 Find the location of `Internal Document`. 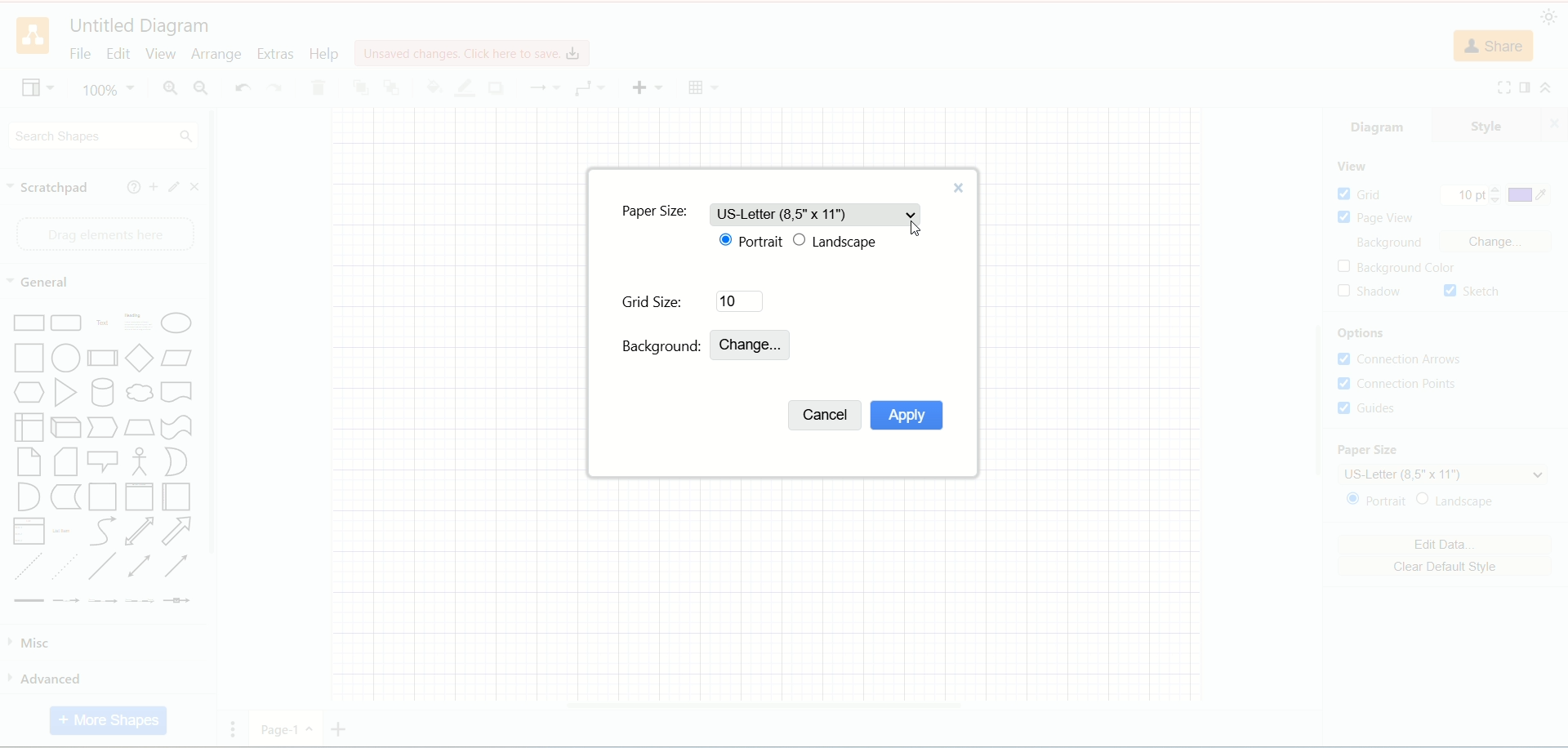

Internal Document is located at coordinates (29, 426).